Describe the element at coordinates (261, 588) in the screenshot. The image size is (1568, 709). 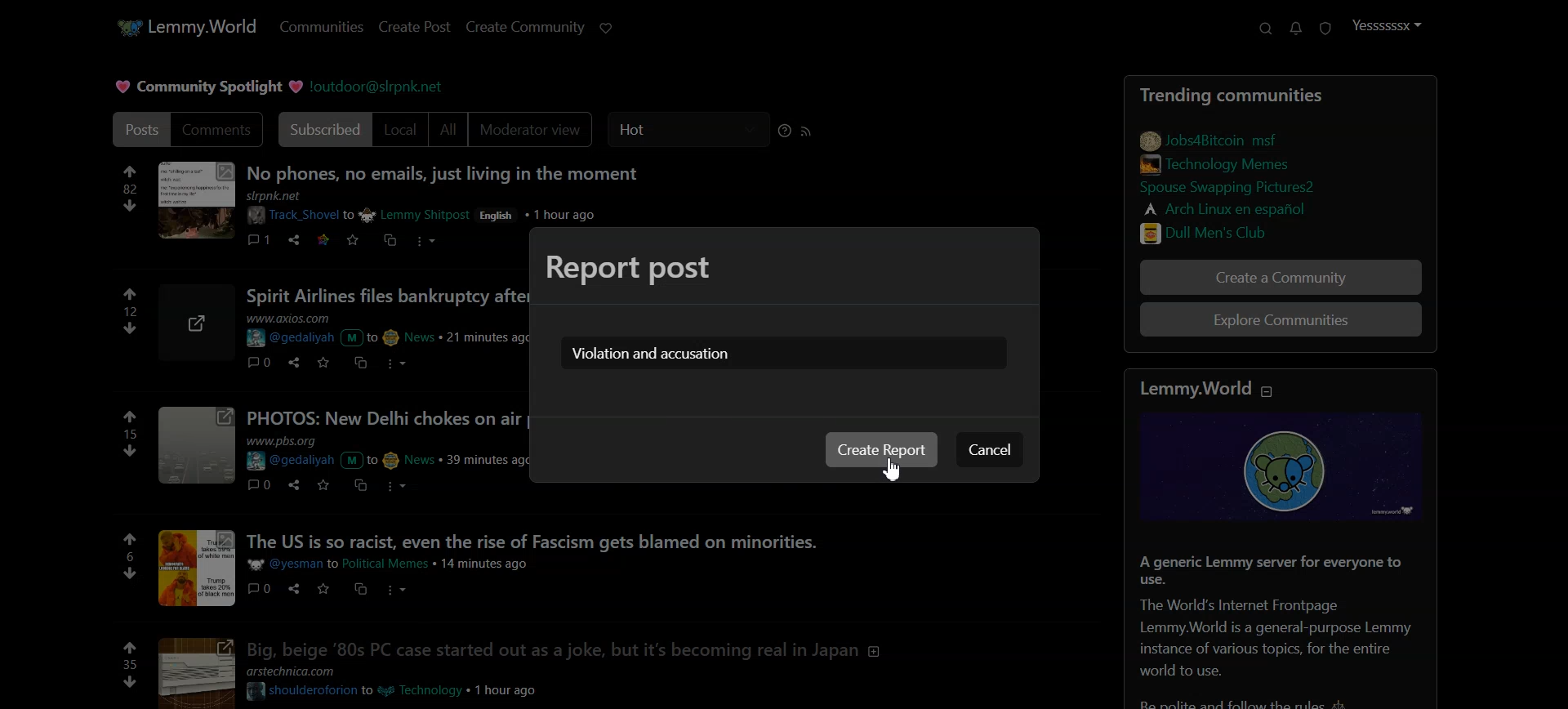
I see `comments` at that location.